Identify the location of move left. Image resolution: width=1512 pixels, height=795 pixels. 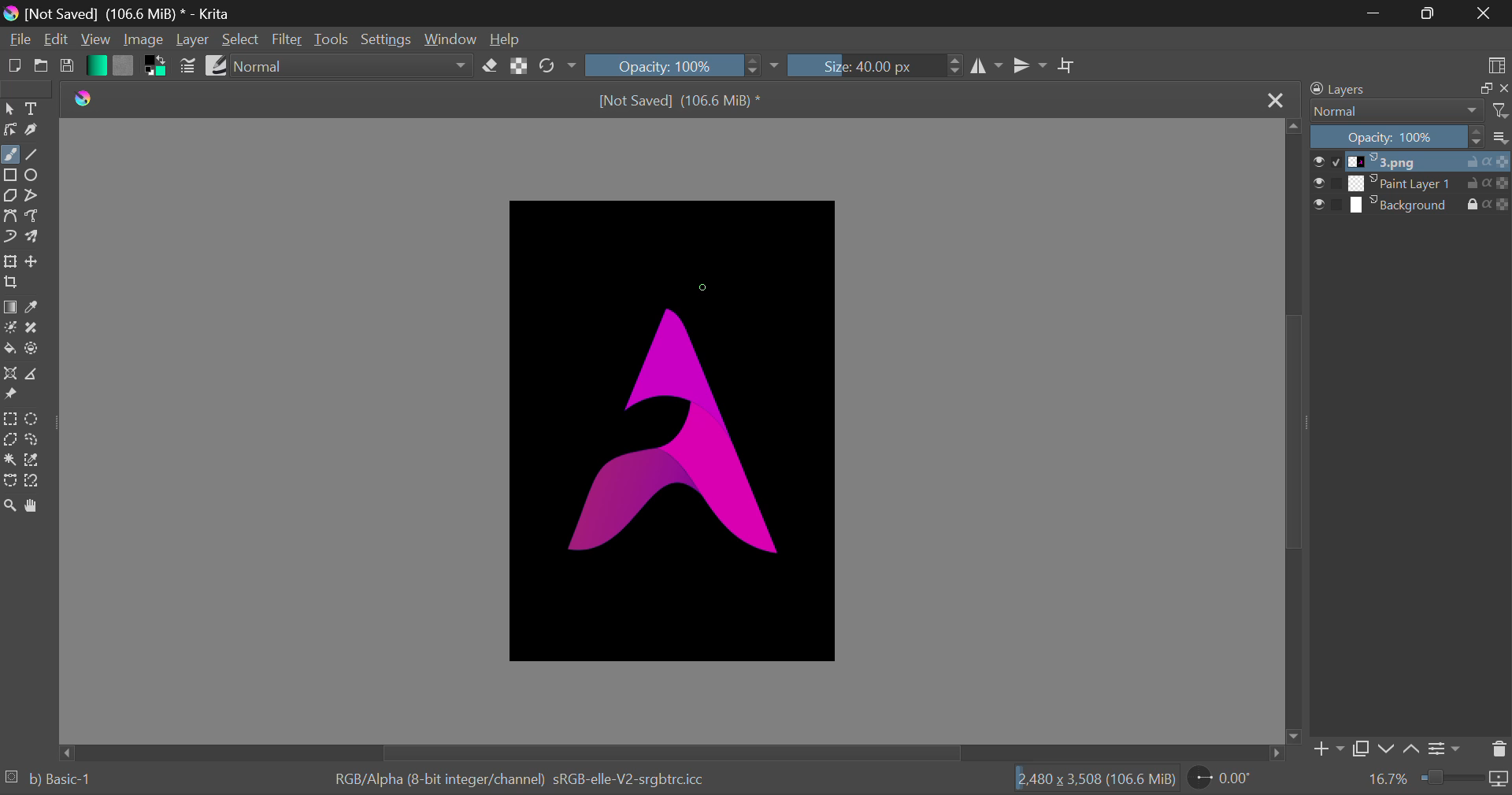
(66, 751).